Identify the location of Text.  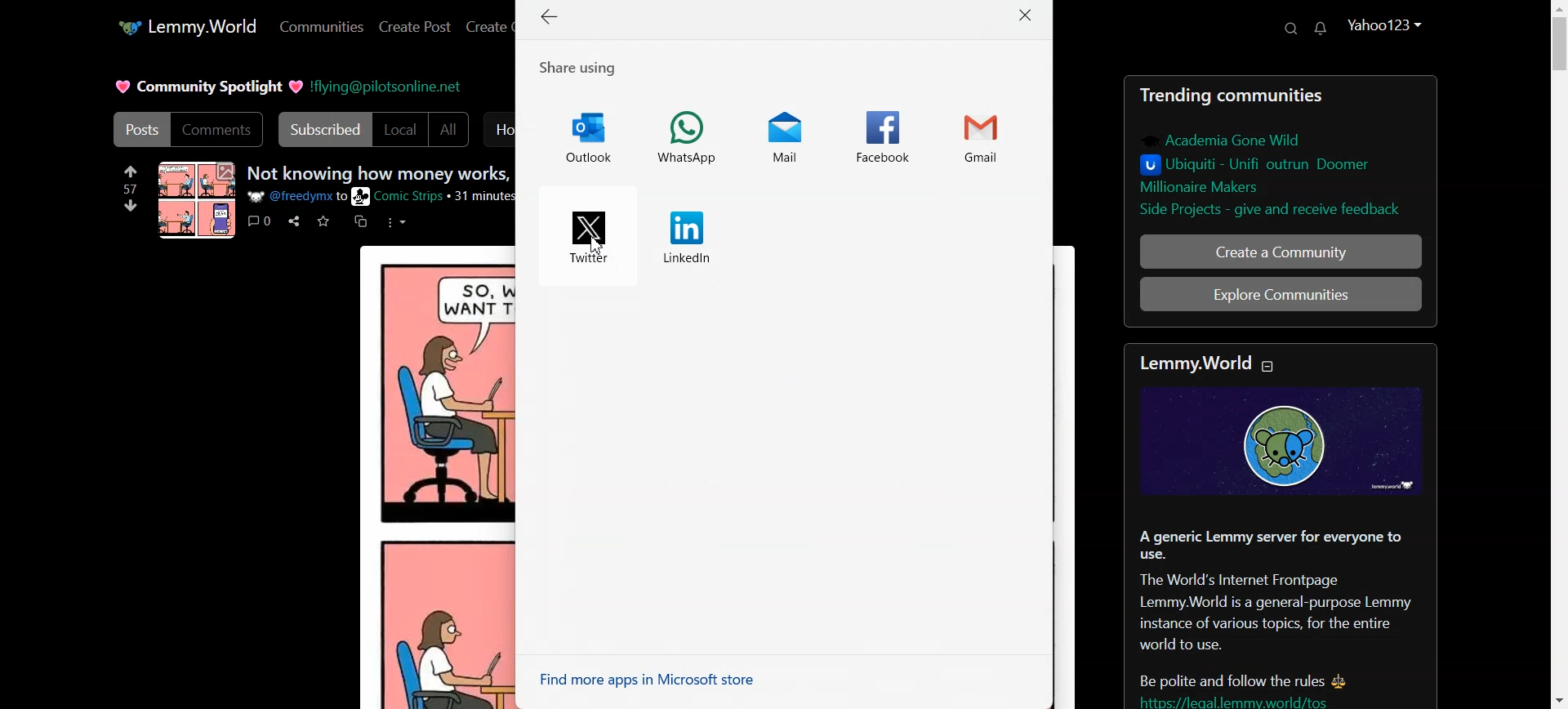
(380, 174).